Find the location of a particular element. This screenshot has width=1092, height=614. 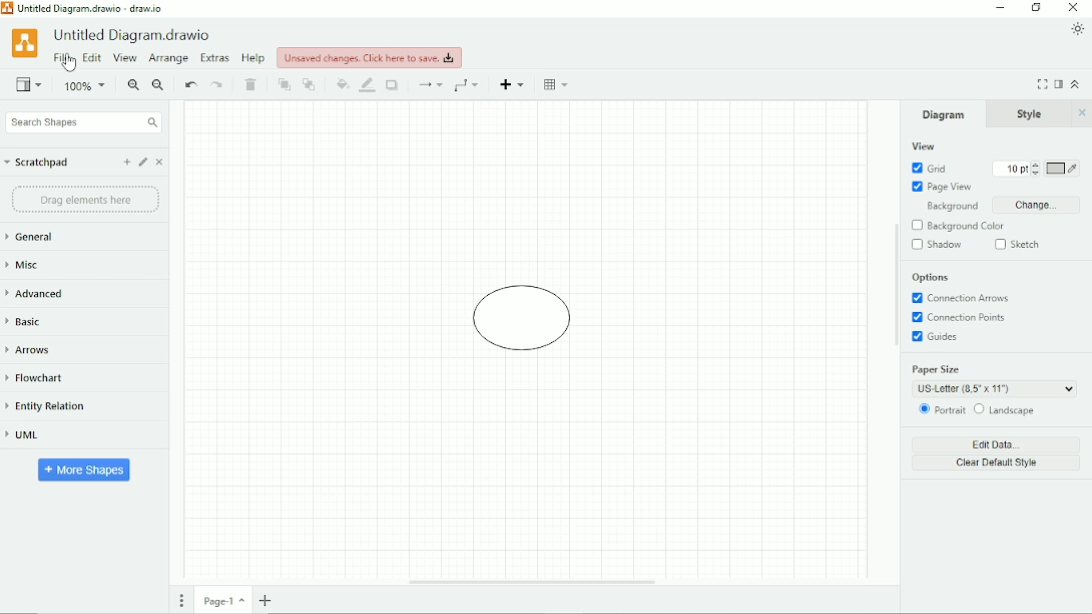

Fullscreen is located at coordinates (1042, 84).